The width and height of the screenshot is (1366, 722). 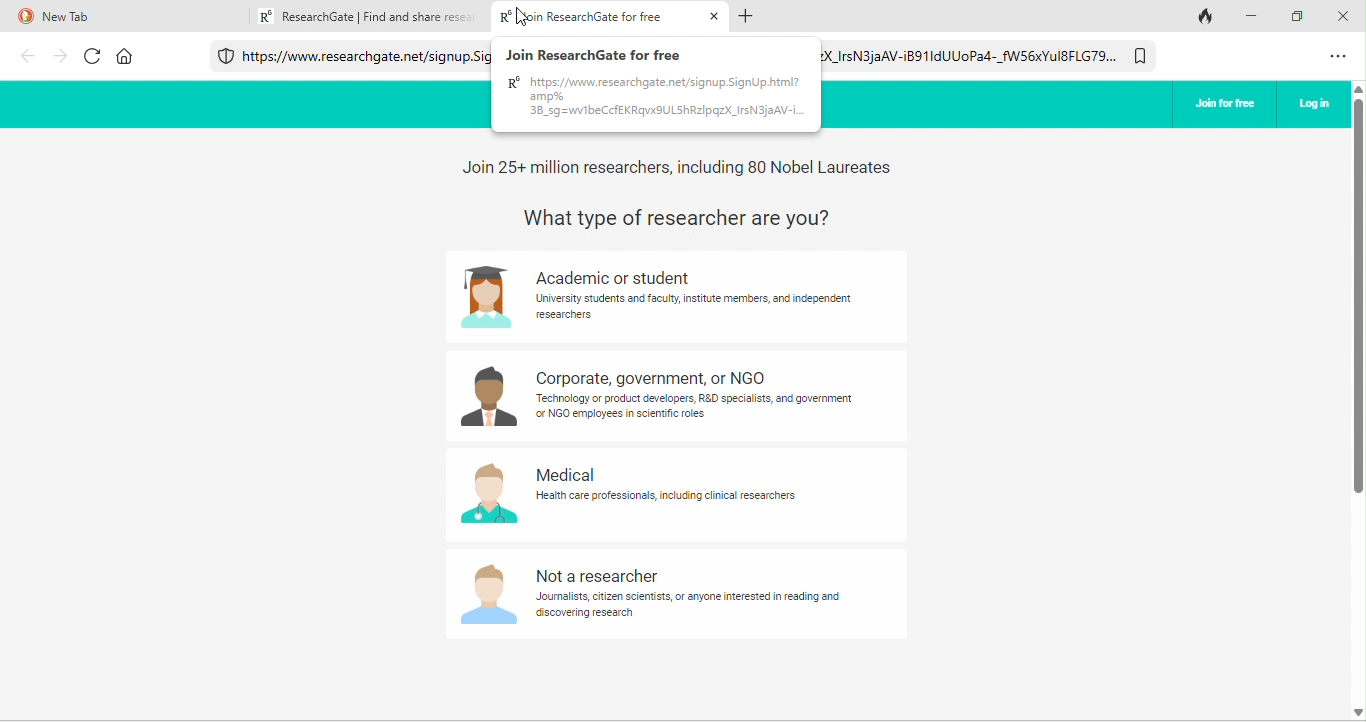 I want to click on minimize, so click(x=1256, y=16).